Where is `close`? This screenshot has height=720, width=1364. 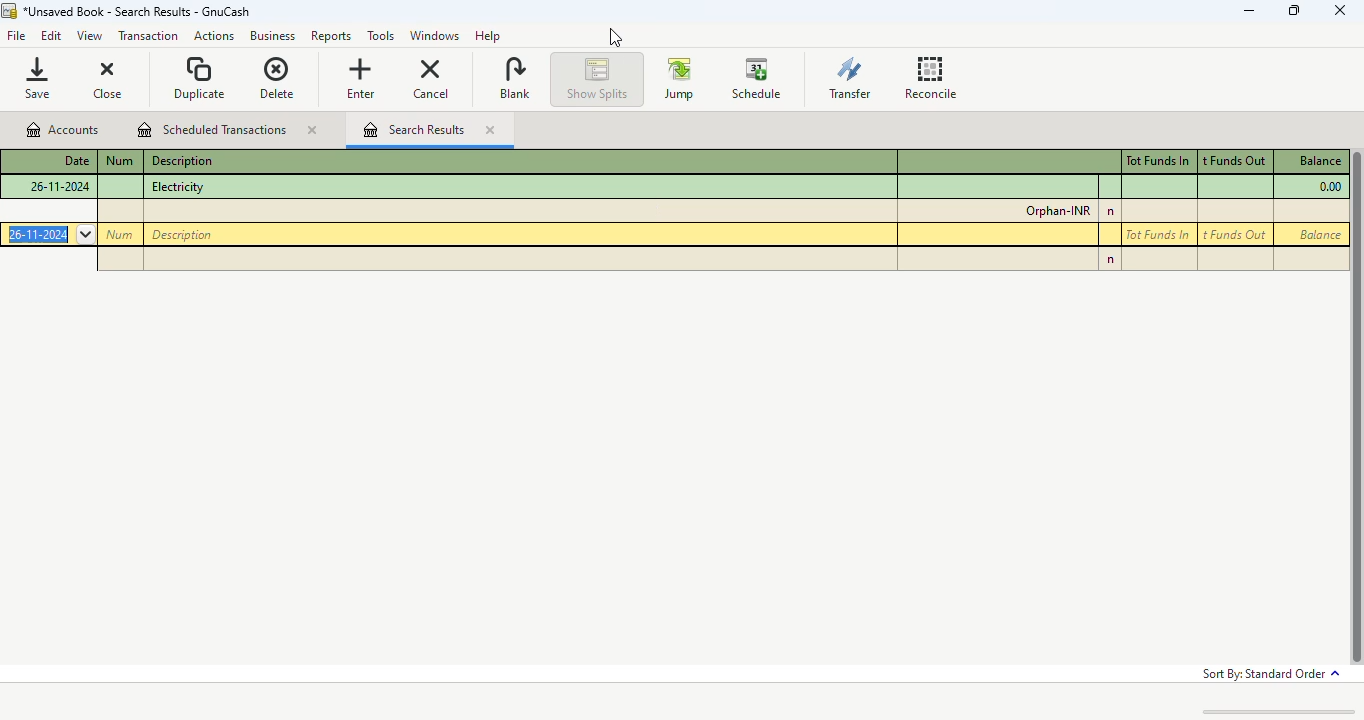
close is located at coordinates (106, 80).